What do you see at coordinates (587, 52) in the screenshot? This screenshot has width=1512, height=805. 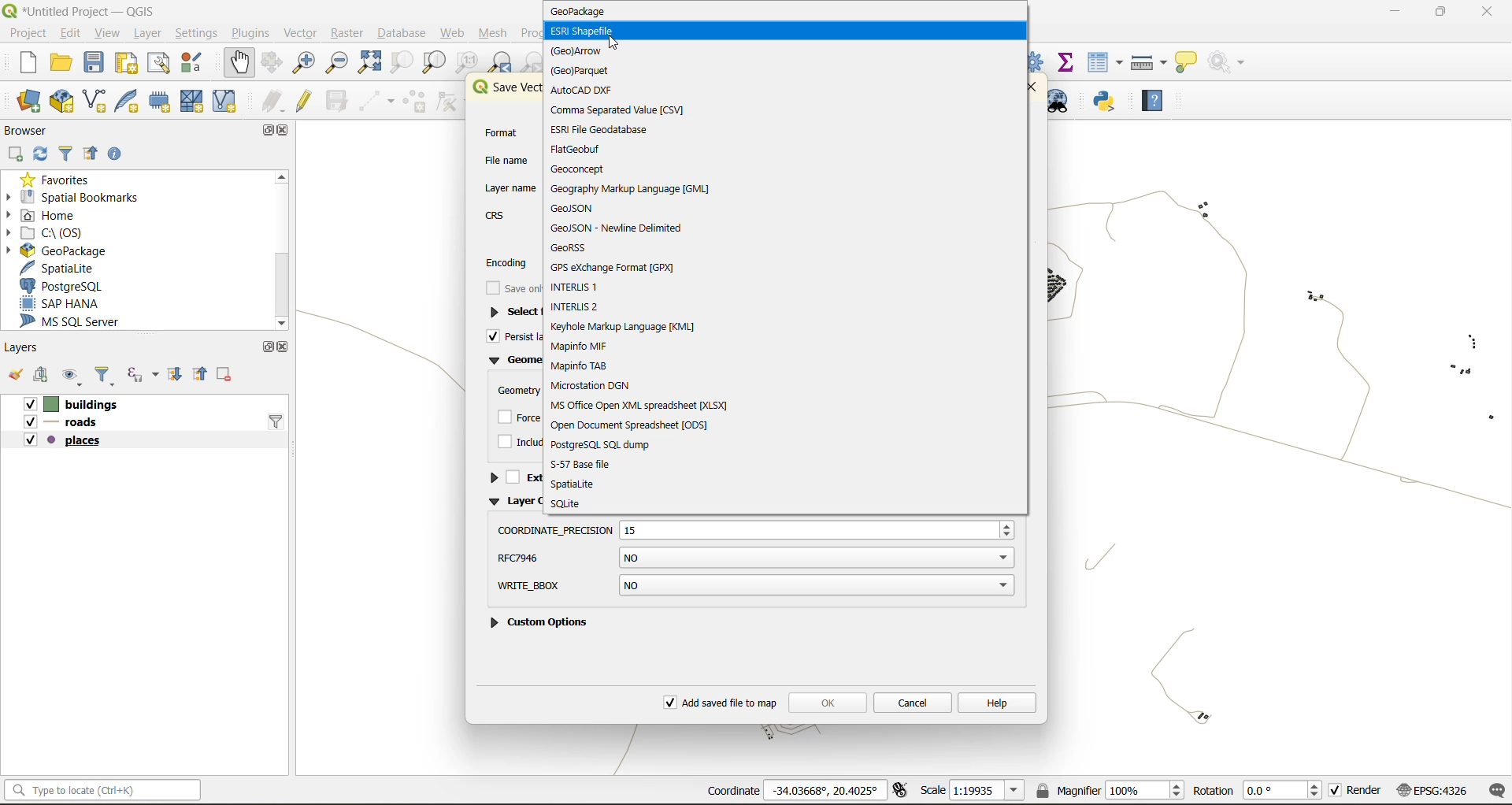 I see `arrow` at bounding box center [587, 52].